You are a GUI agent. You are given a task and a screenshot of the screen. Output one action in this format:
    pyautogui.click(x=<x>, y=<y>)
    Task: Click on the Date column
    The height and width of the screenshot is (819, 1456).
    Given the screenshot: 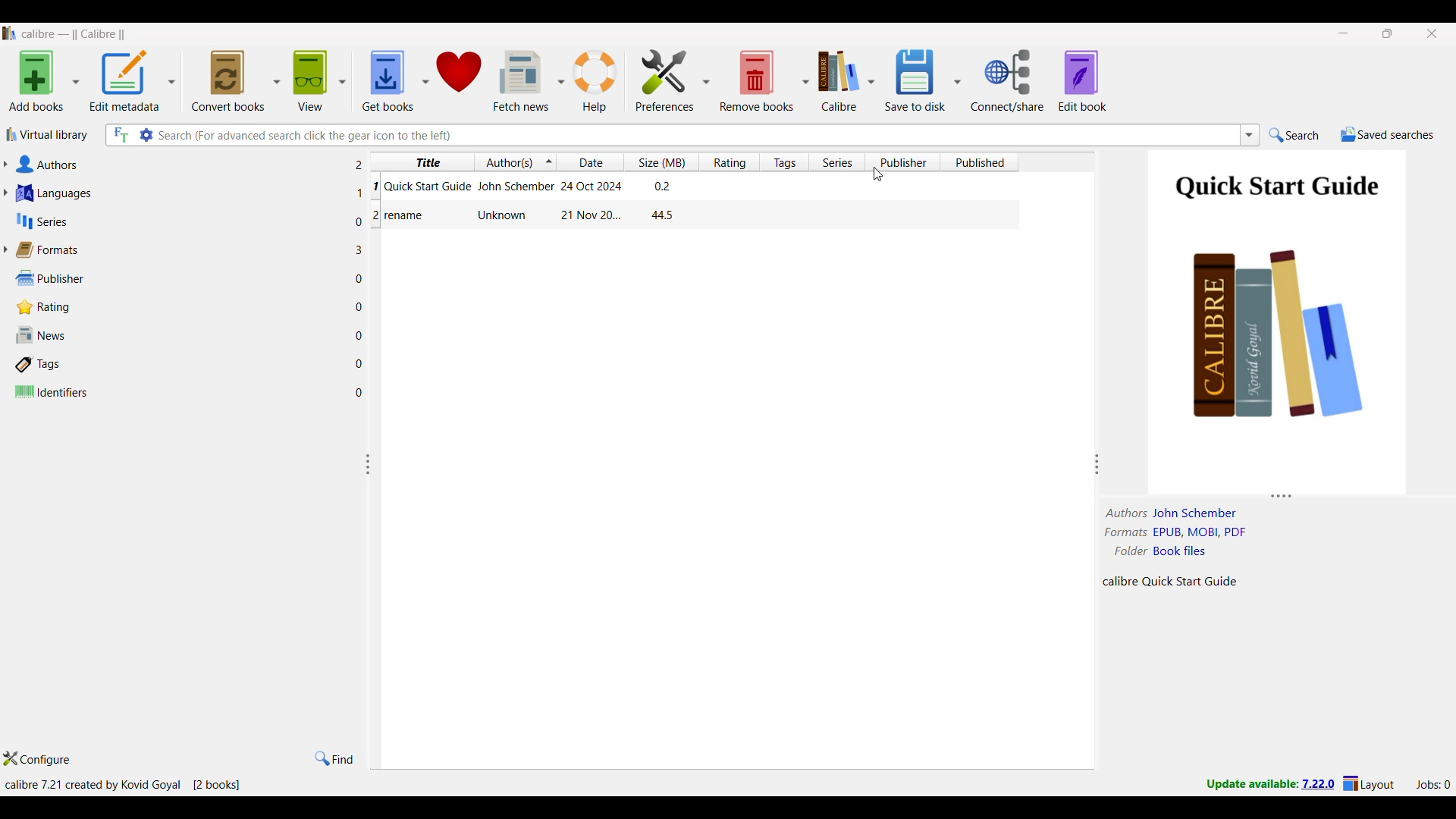 What is the action you would take?
    pyautogui.click(x=590, y=162)
    